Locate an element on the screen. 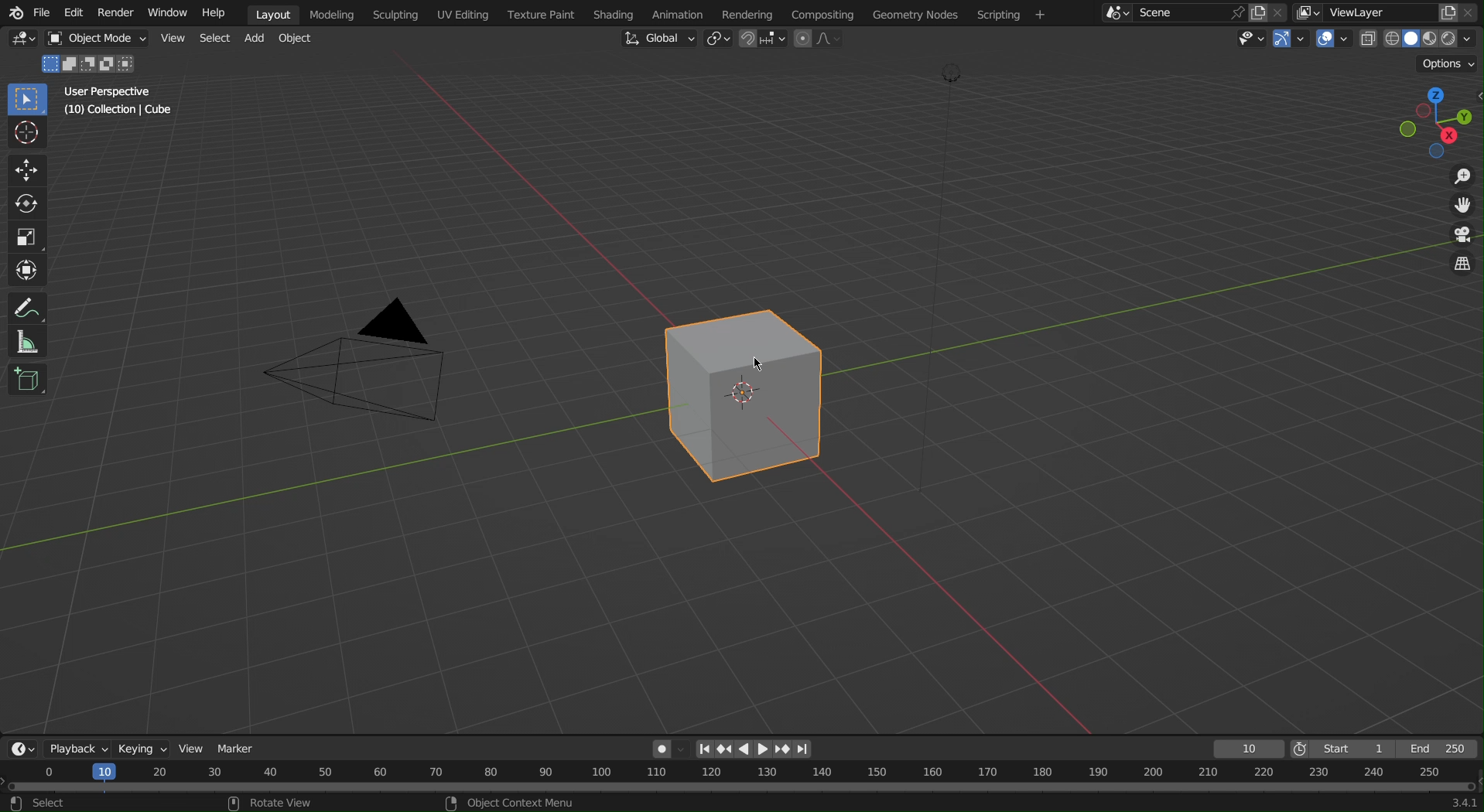 This screenshot has height=812, width=1484. Cursor is located at coordinates (28, 135).